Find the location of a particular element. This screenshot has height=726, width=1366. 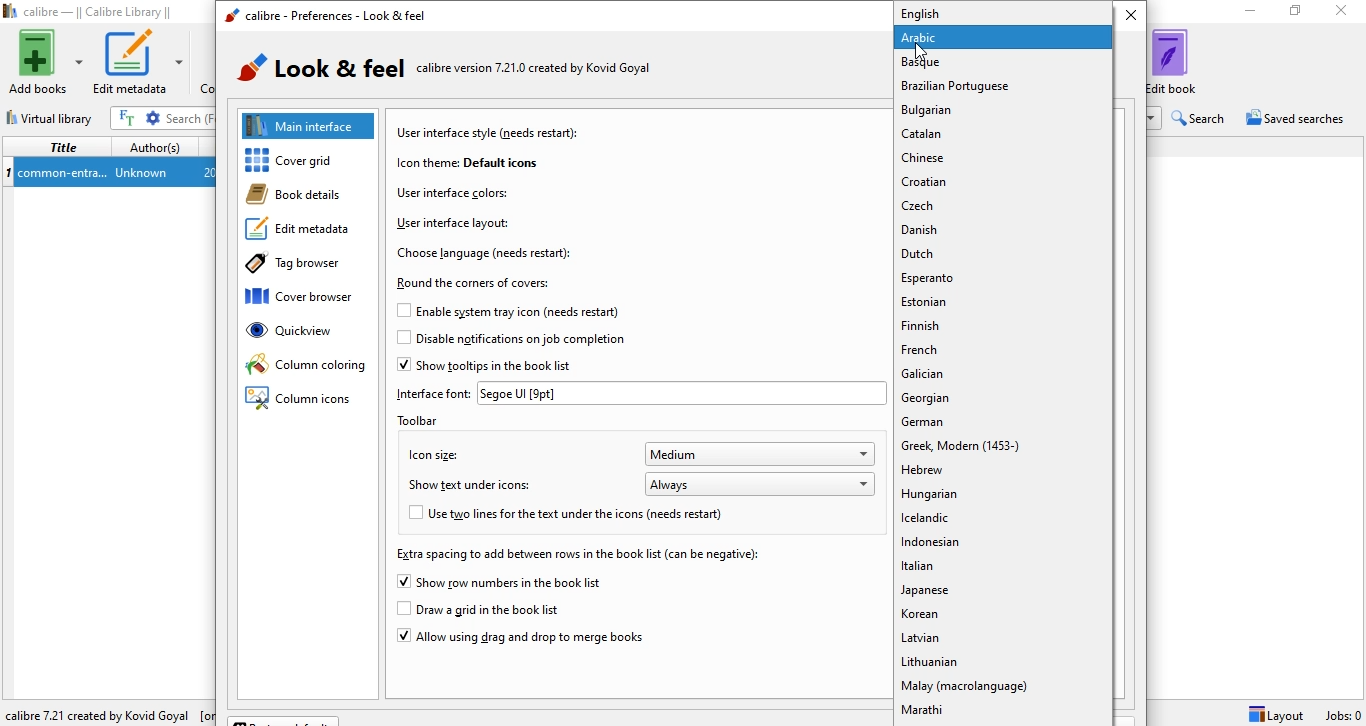

user interface style (needs restart) is located at coordinates (490, 132).